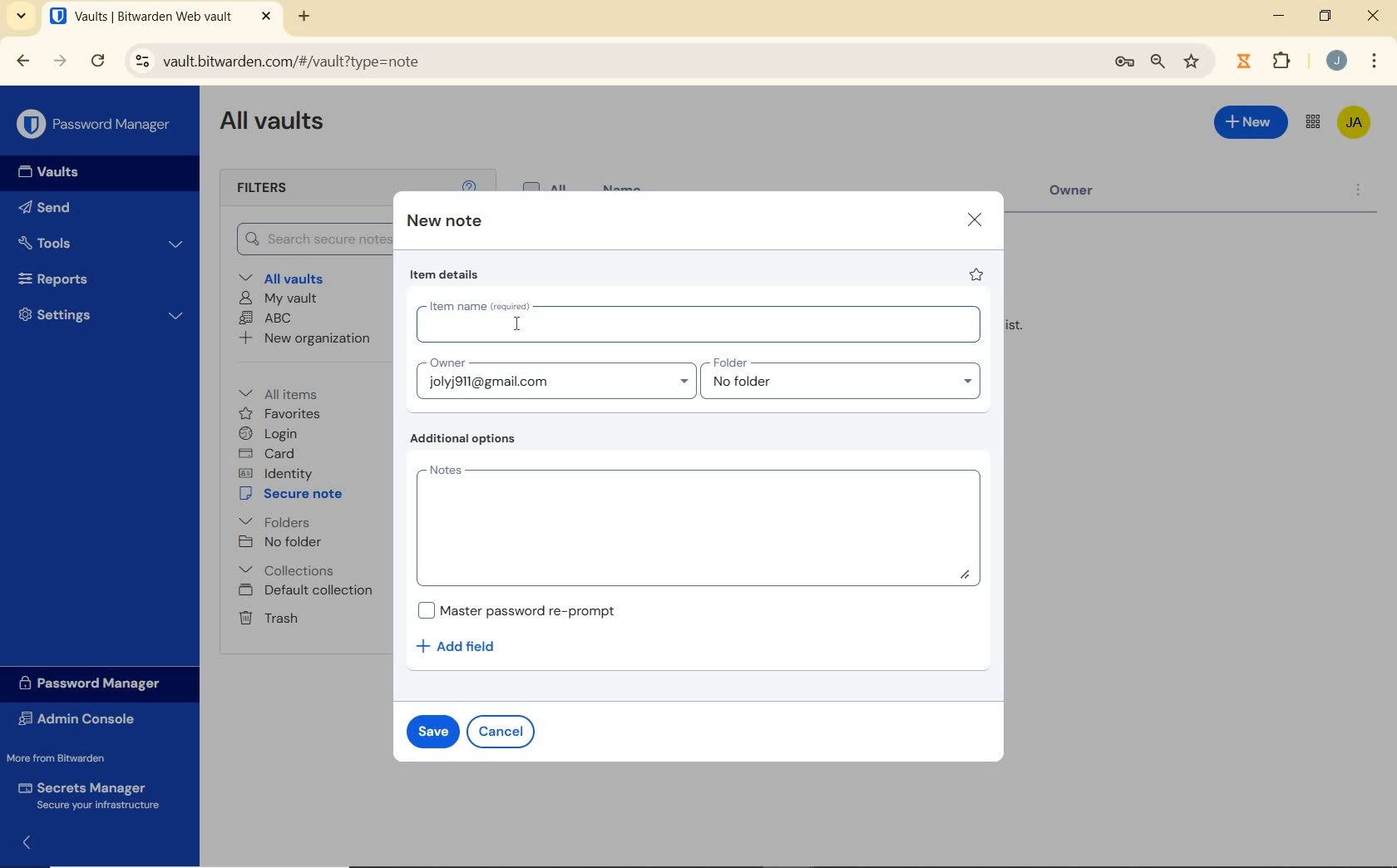 Image resolution: width=1397 pixels, height=868 pixels. What do you see at coordinates (1355, 124) in the screenshot?
I see `Bitwarden Account` at bounding box center [1355, 124].